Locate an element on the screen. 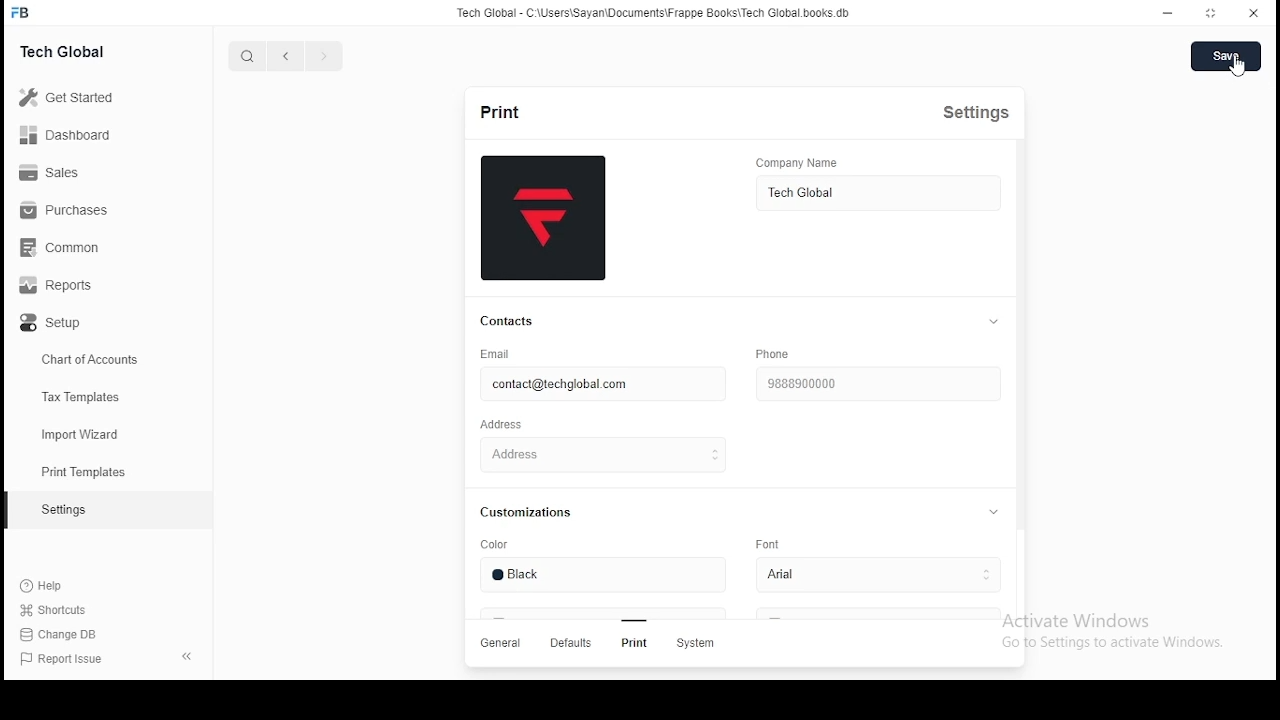 Image resolution: width=1280 pixels, height=720 pixels. save is located at coordinates (1226, 56).